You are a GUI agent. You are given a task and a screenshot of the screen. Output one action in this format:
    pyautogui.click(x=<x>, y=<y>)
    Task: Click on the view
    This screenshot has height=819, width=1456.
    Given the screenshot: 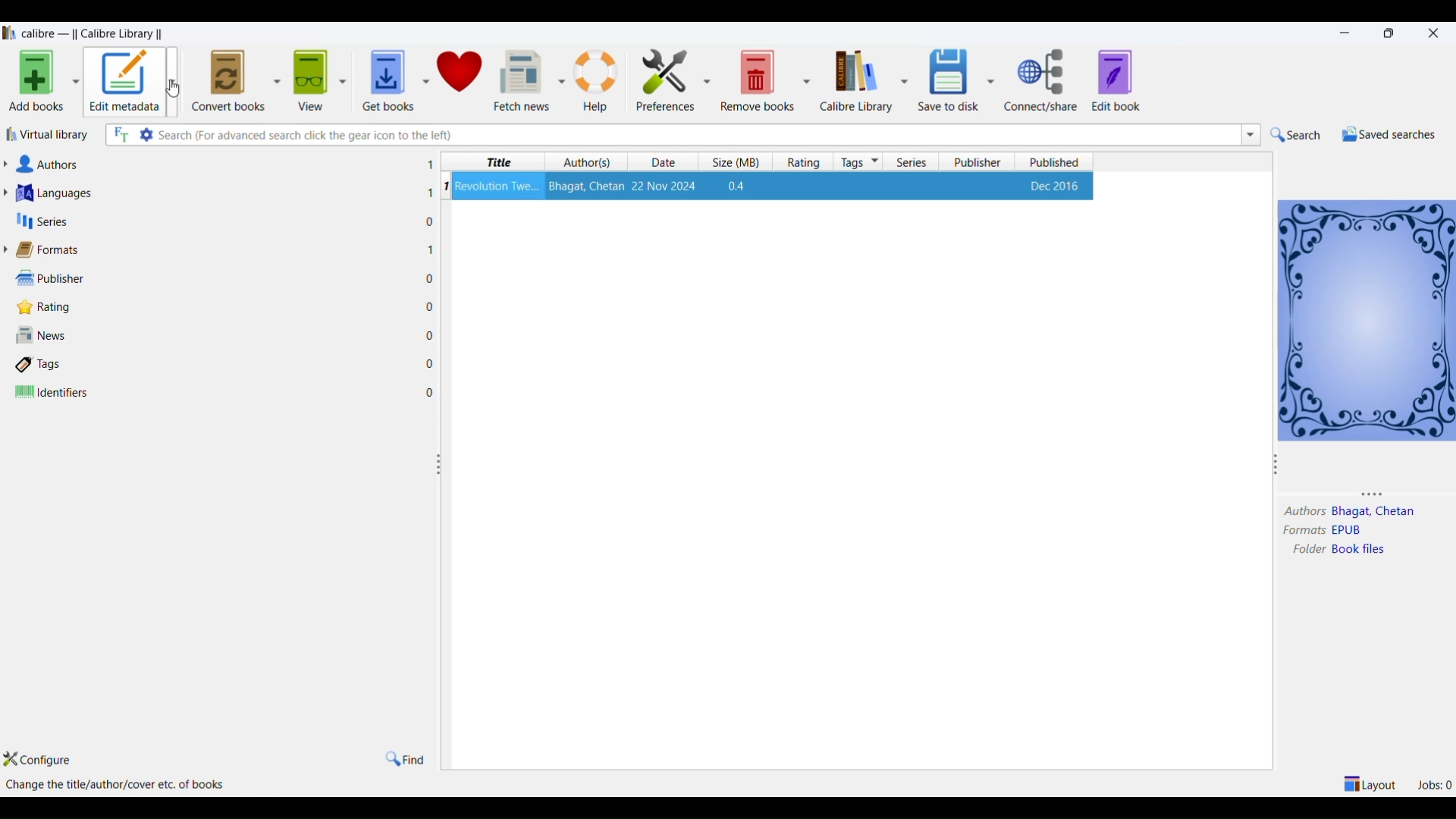 What is the action you would take?
    pyautogui.click(x=308, y=76)
    